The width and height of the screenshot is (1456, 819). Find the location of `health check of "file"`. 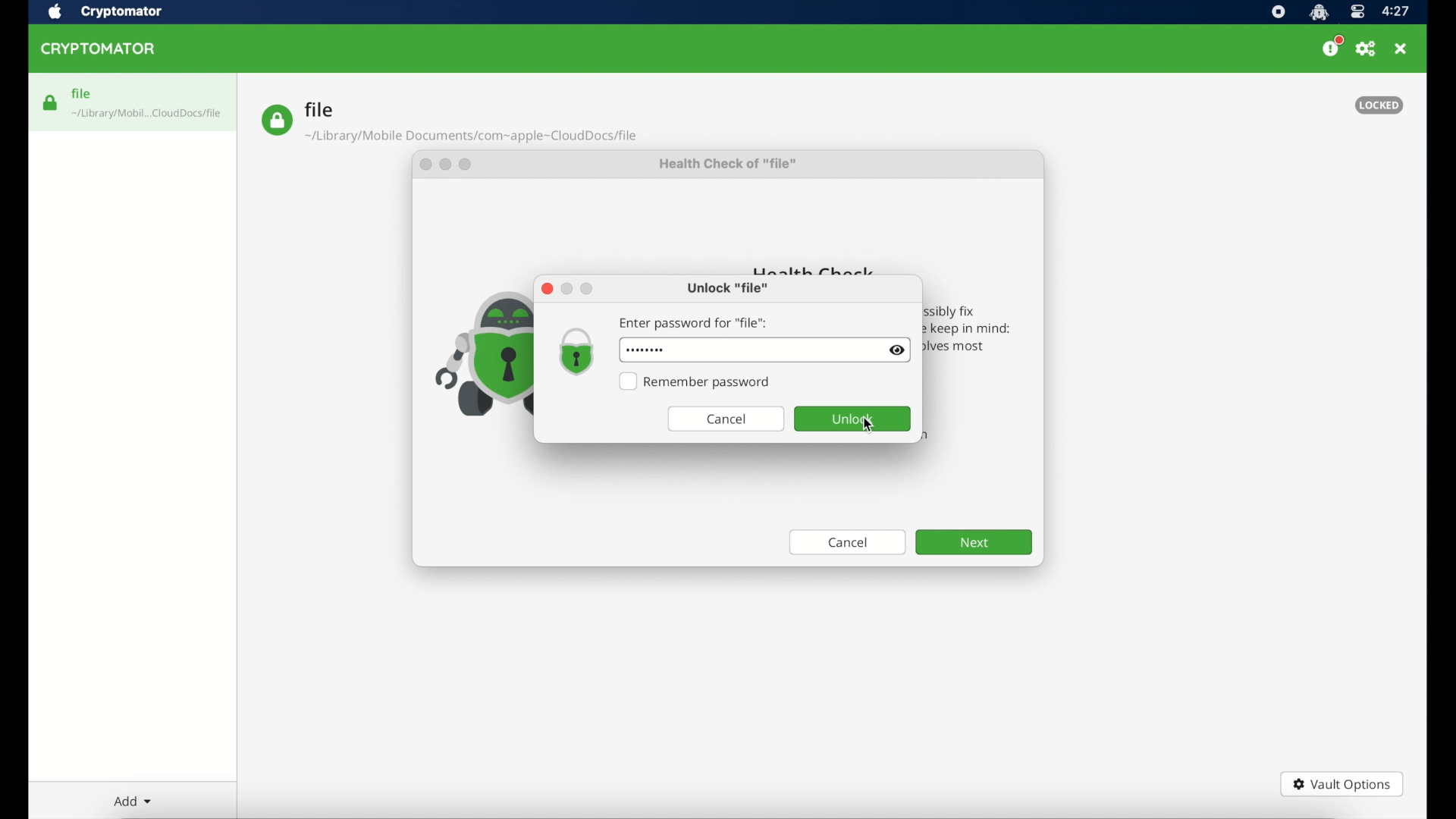

health check of "file" is located at coordinates (729, 167).